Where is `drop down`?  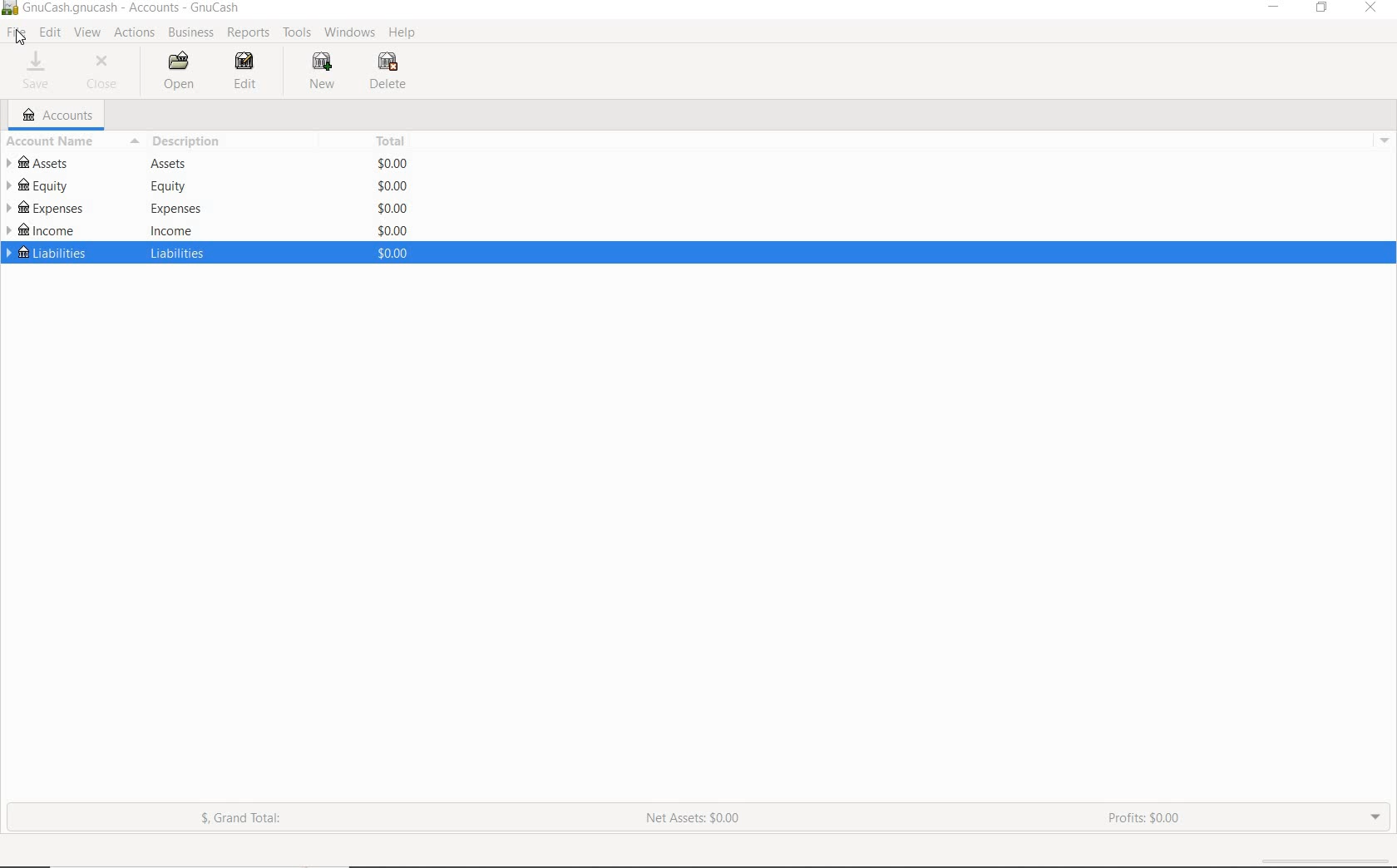
drop down is located at coordinates (1386, 140).